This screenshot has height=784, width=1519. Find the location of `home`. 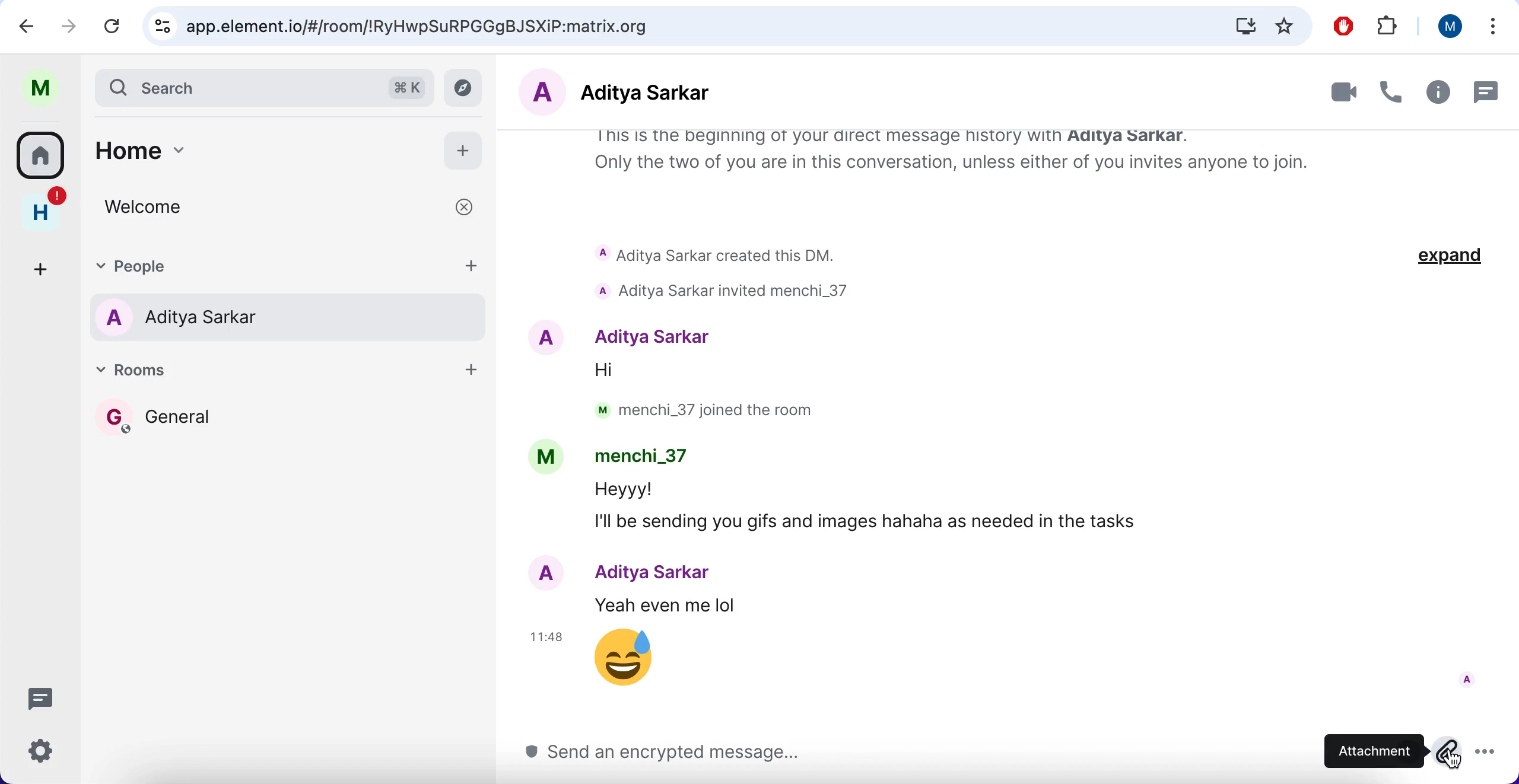

home is located at coordinates (42, 154).